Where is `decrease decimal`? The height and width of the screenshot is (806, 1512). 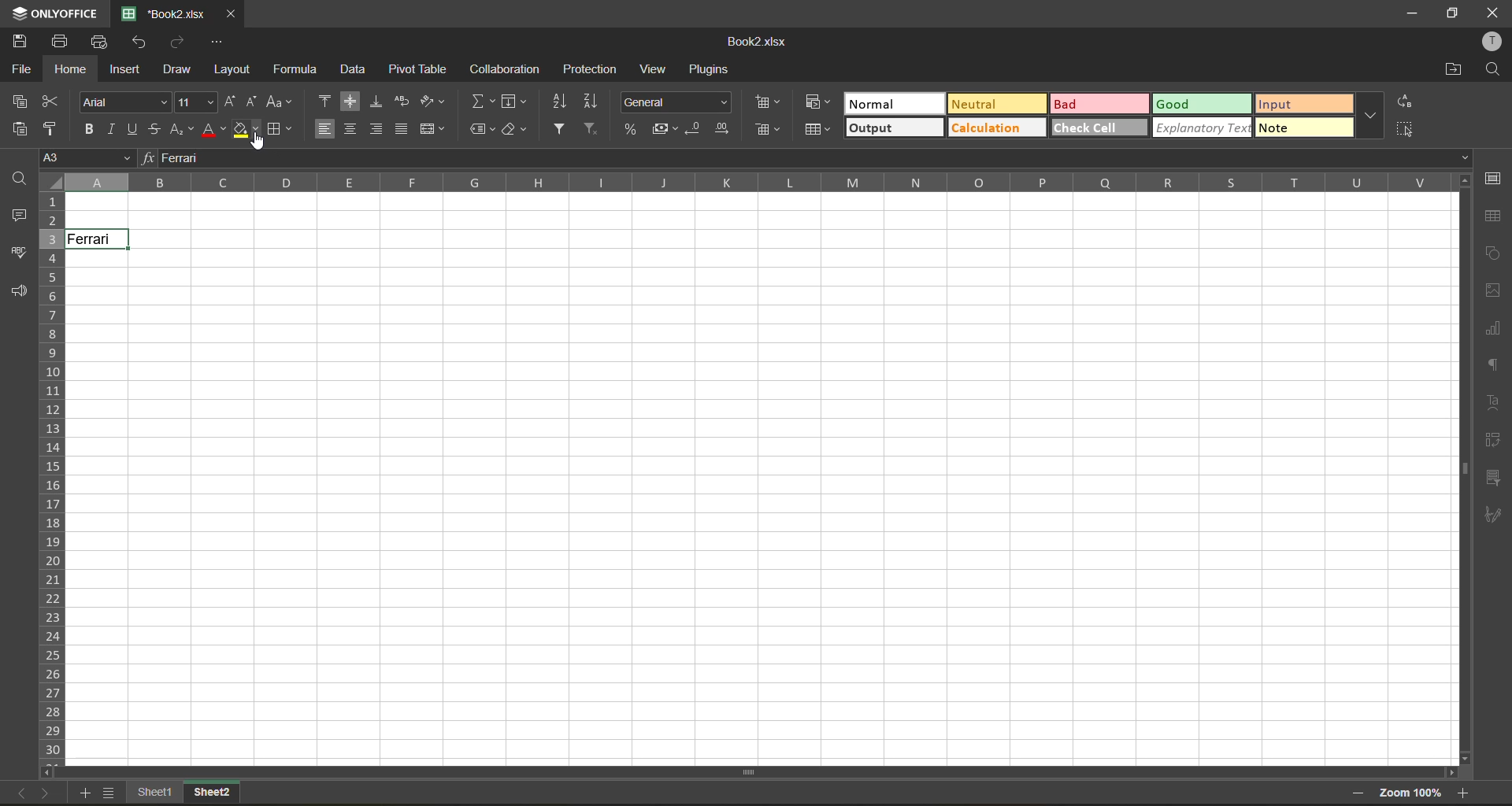 decrease decimal is located at coordinates (695, 127).